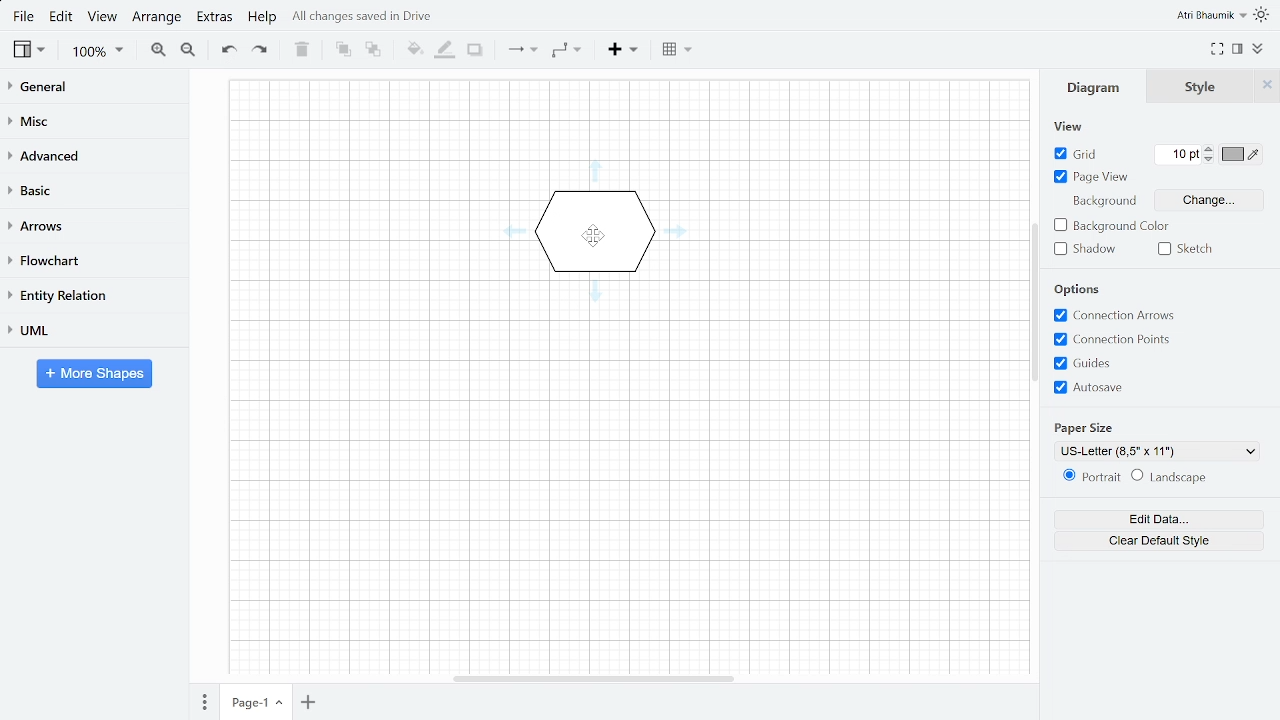  Describe the element at coordinates (595, 232) in the screenshot. I see `Pentagon, current shape` at that location.